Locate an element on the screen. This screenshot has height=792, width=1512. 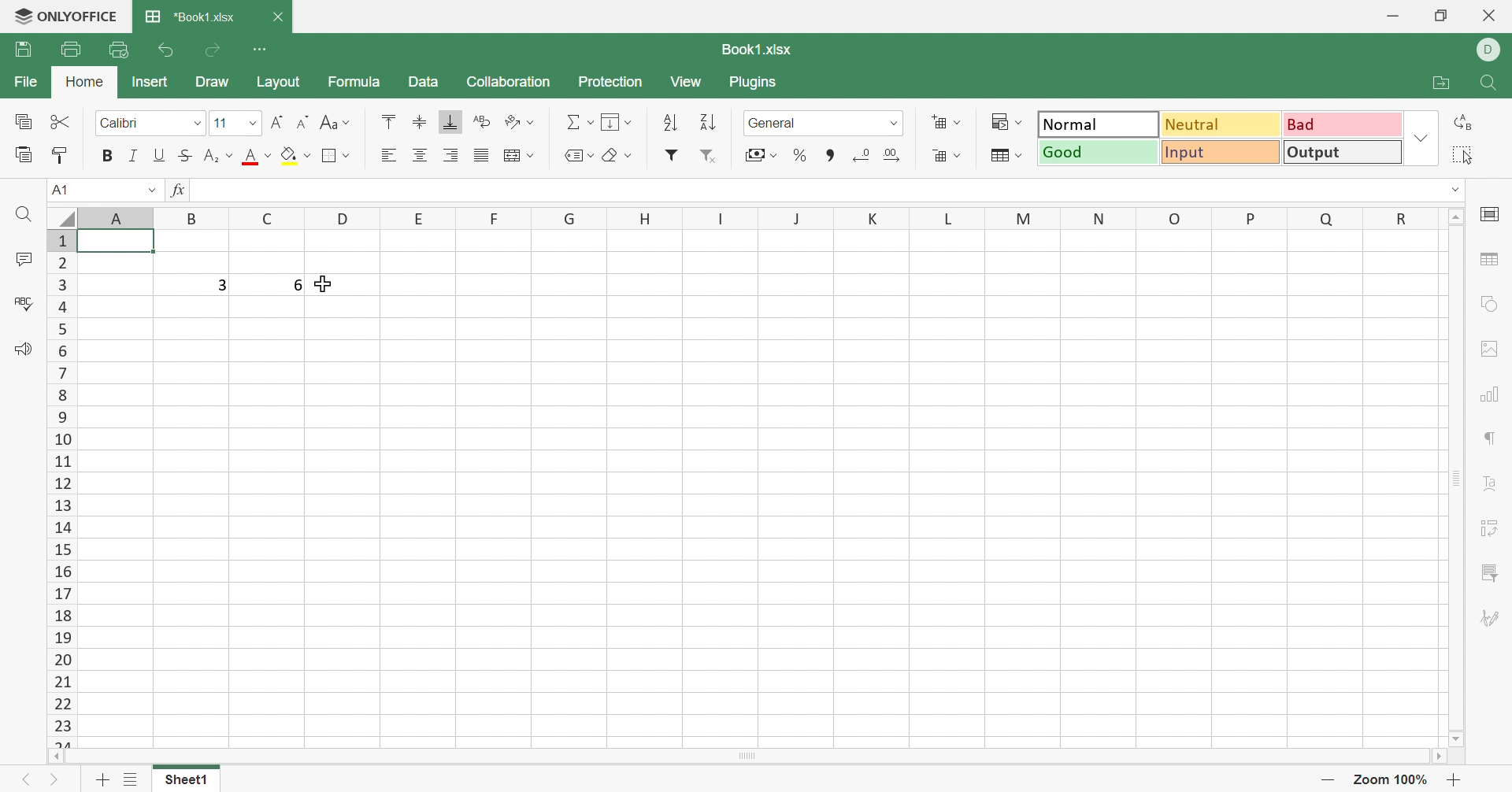
Align top is located at coordinates (421, 123).